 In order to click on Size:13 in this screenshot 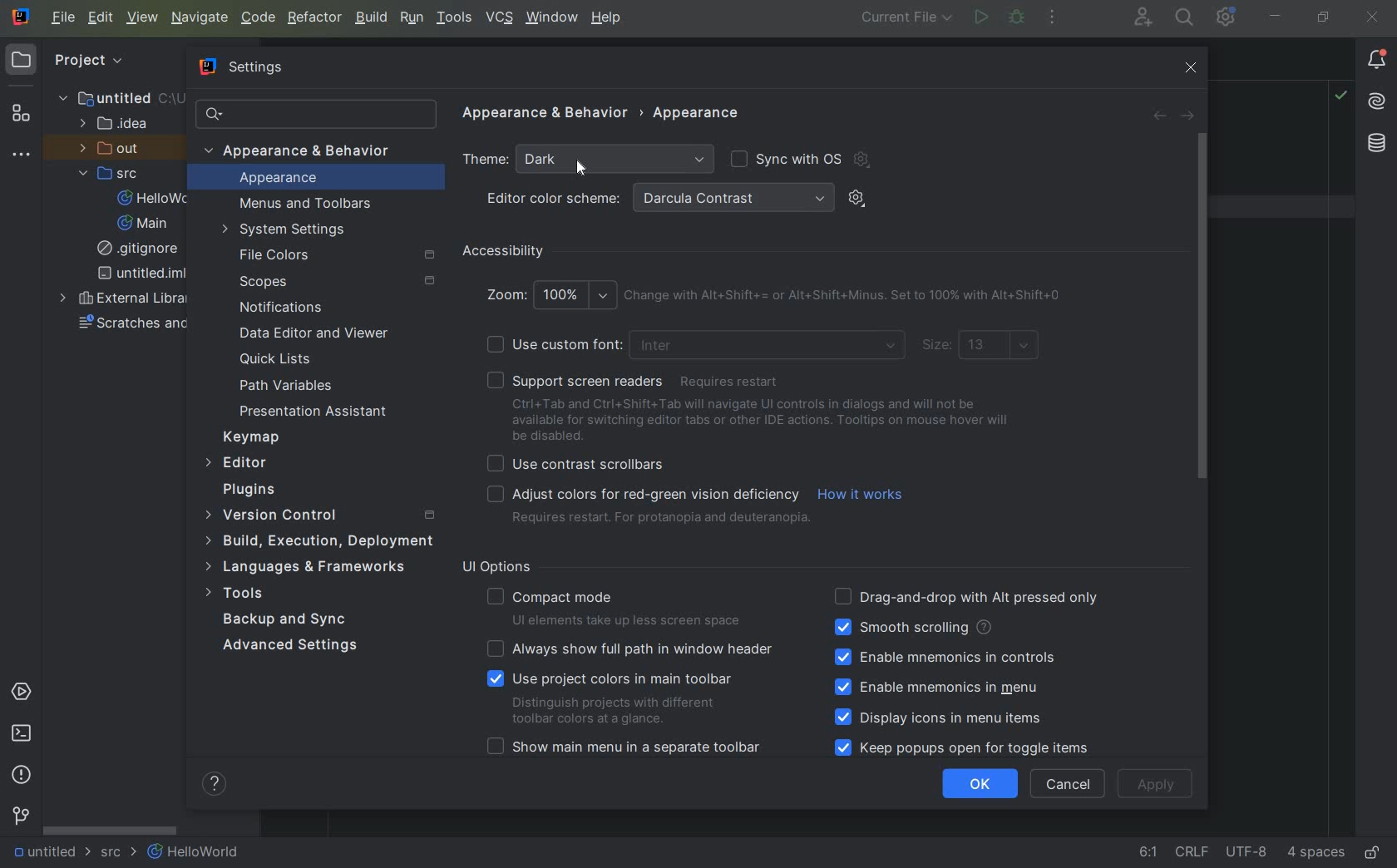, I will do `click(982, 348)`.